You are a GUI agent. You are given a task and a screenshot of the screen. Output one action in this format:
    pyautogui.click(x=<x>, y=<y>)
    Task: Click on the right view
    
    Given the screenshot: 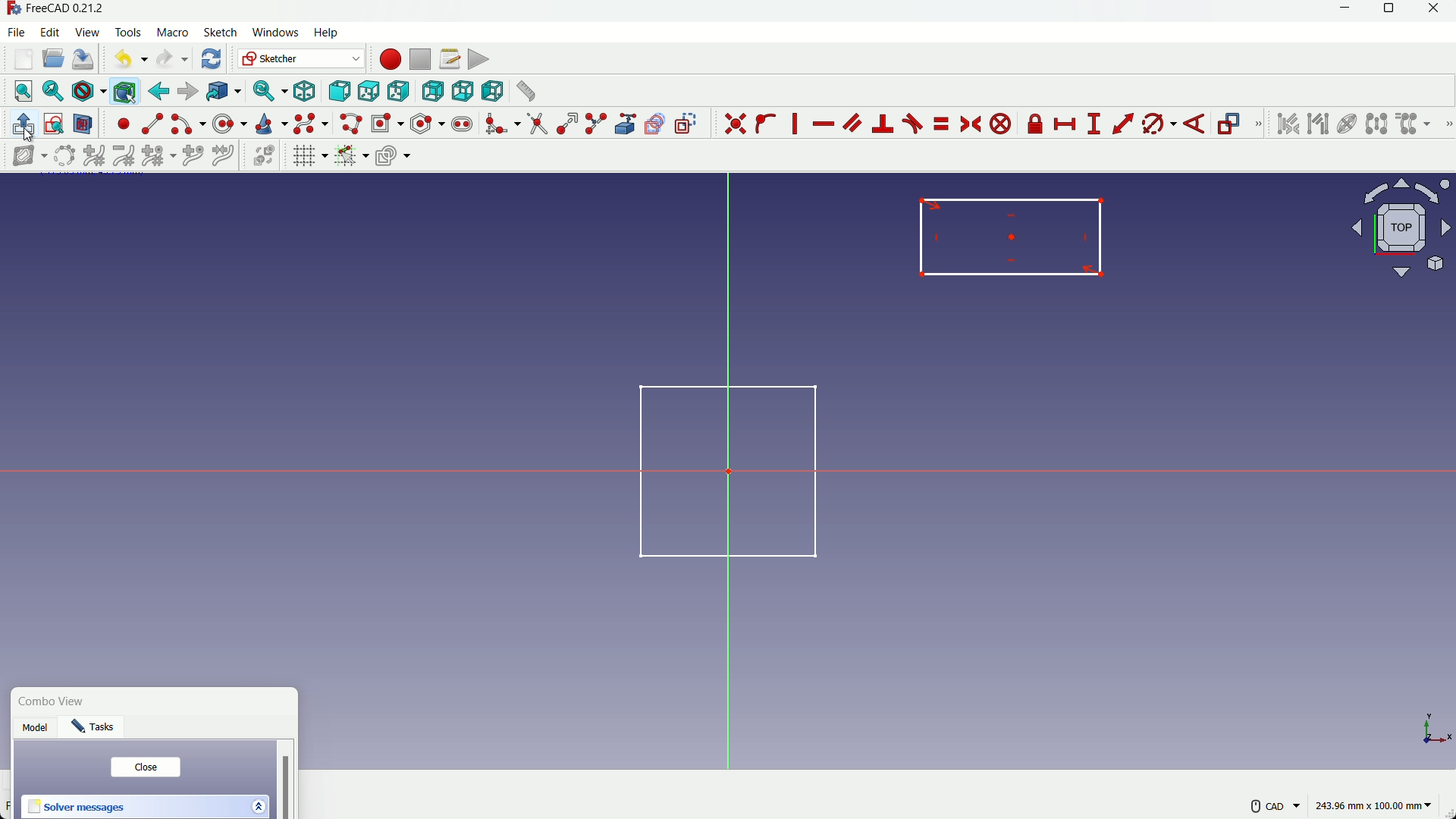 What is the action you would take?
    pyautogui.click(x=400, y=92)
    